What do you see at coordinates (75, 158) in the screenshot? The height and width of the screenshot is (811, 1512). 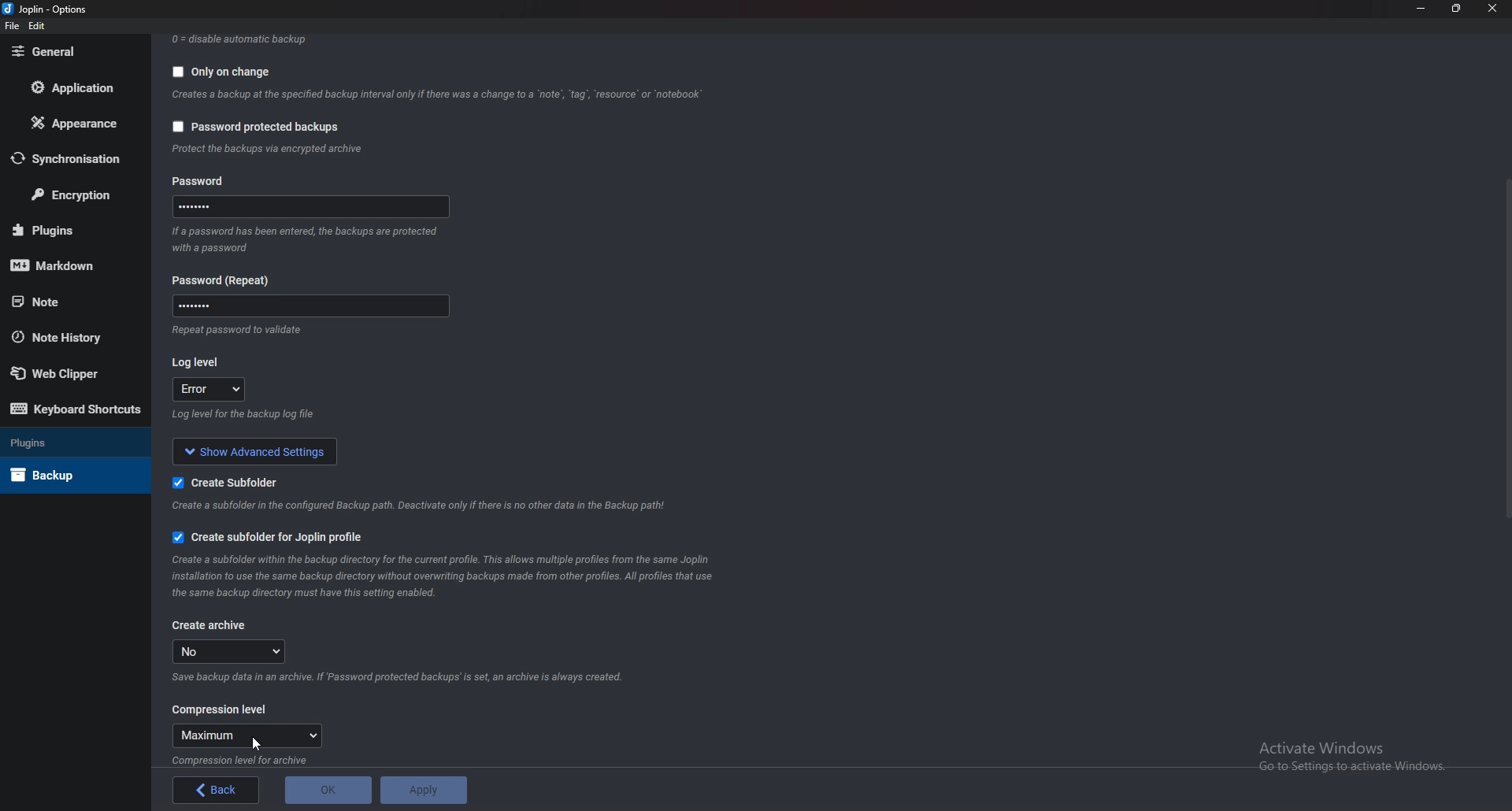 I see `Synchronization` at bounding box center [75, 158].